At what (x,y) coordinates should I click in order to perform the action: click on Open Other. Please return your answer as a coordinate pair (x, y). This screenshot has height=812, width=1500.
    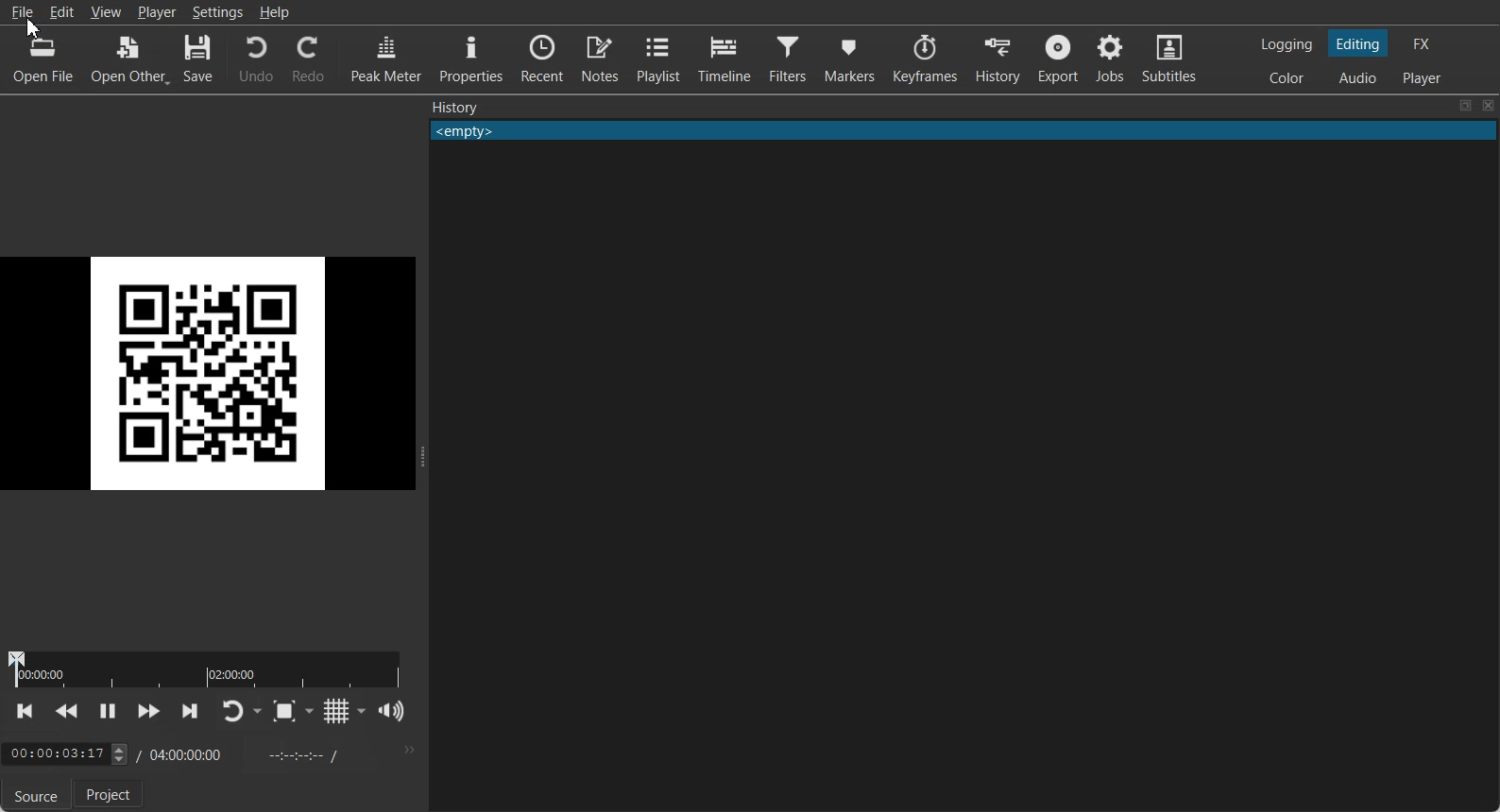
    Looking at the image, I should click on (130, 59).